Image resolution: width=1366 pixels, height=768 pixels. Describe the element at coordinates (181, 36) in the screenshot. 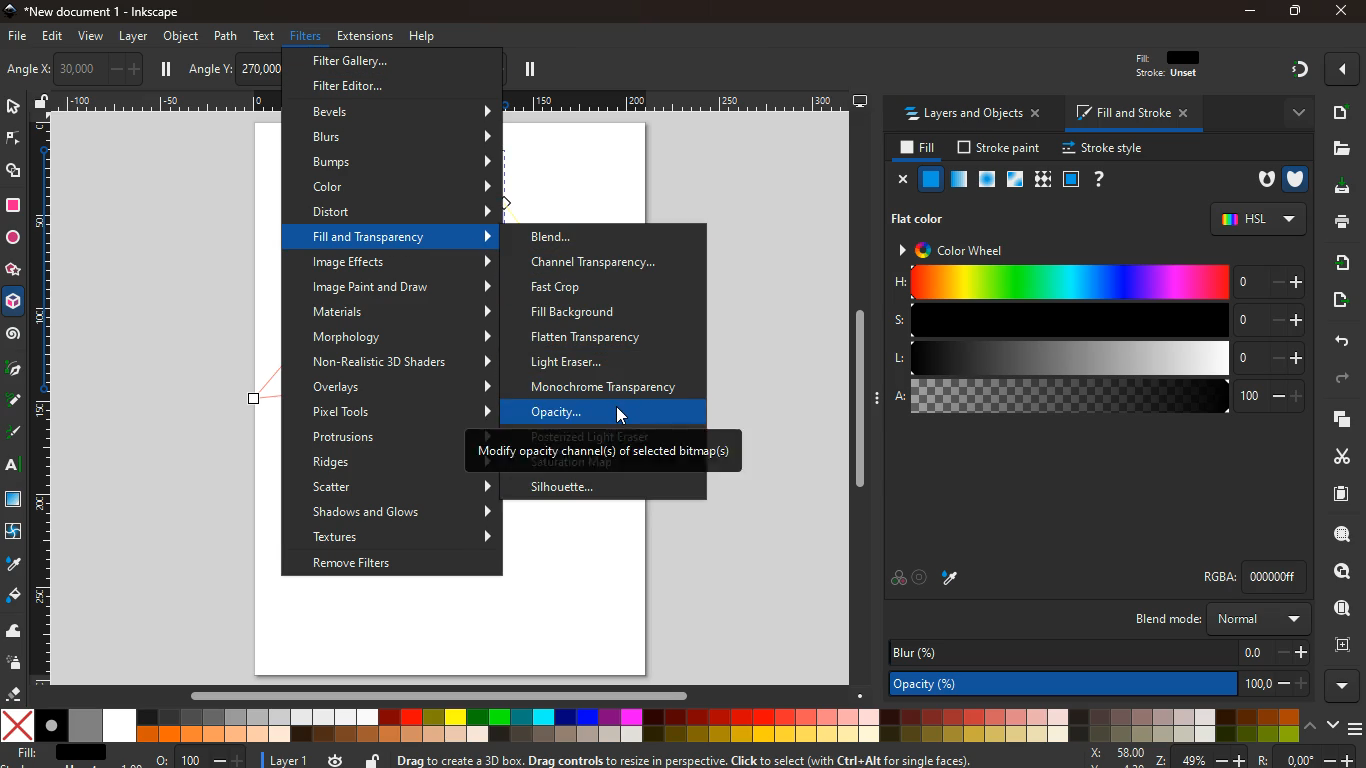

I see `object` at that location.